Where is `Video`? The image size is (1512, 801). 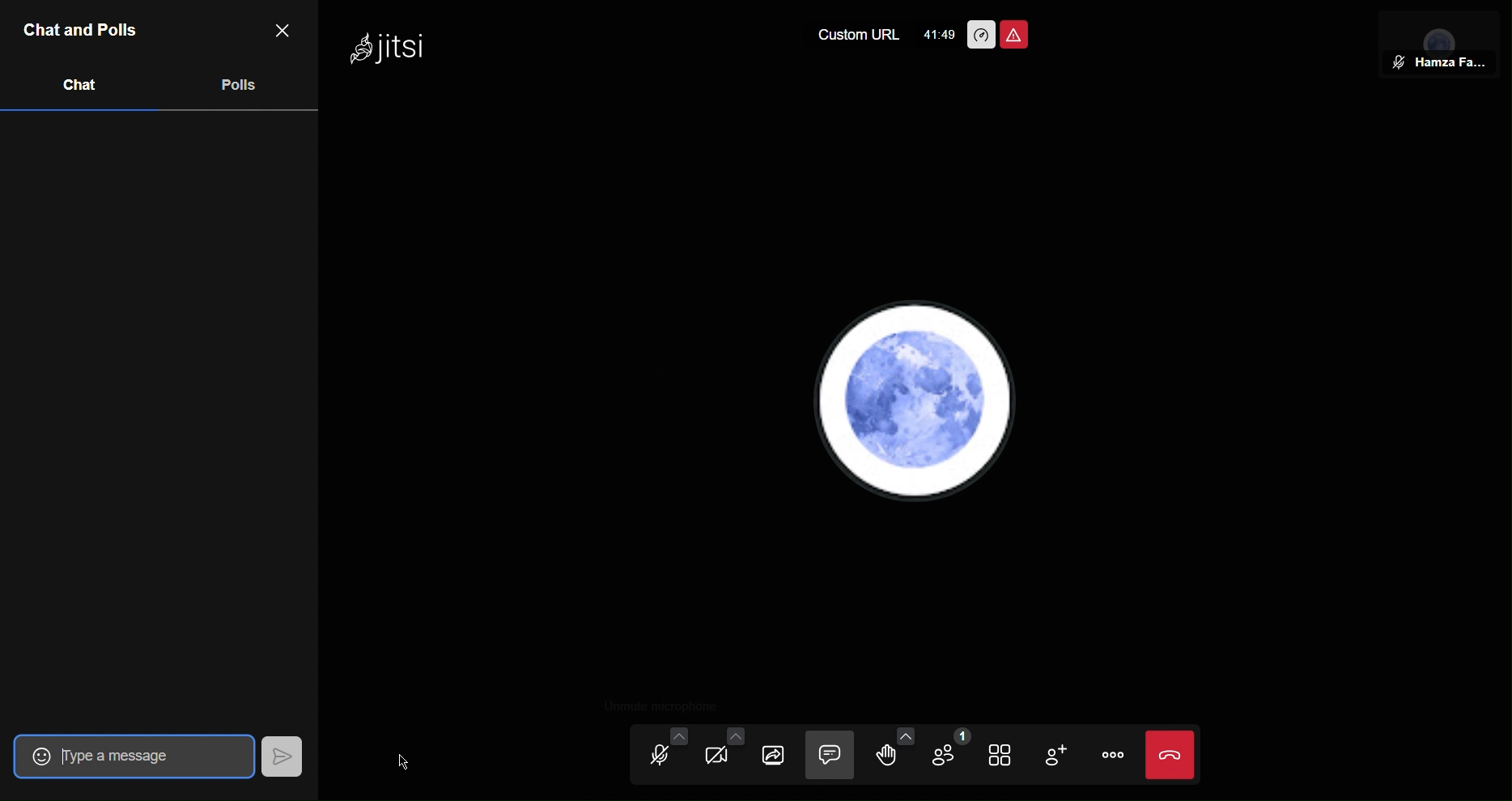 Video is located at coordinates (721, 752).